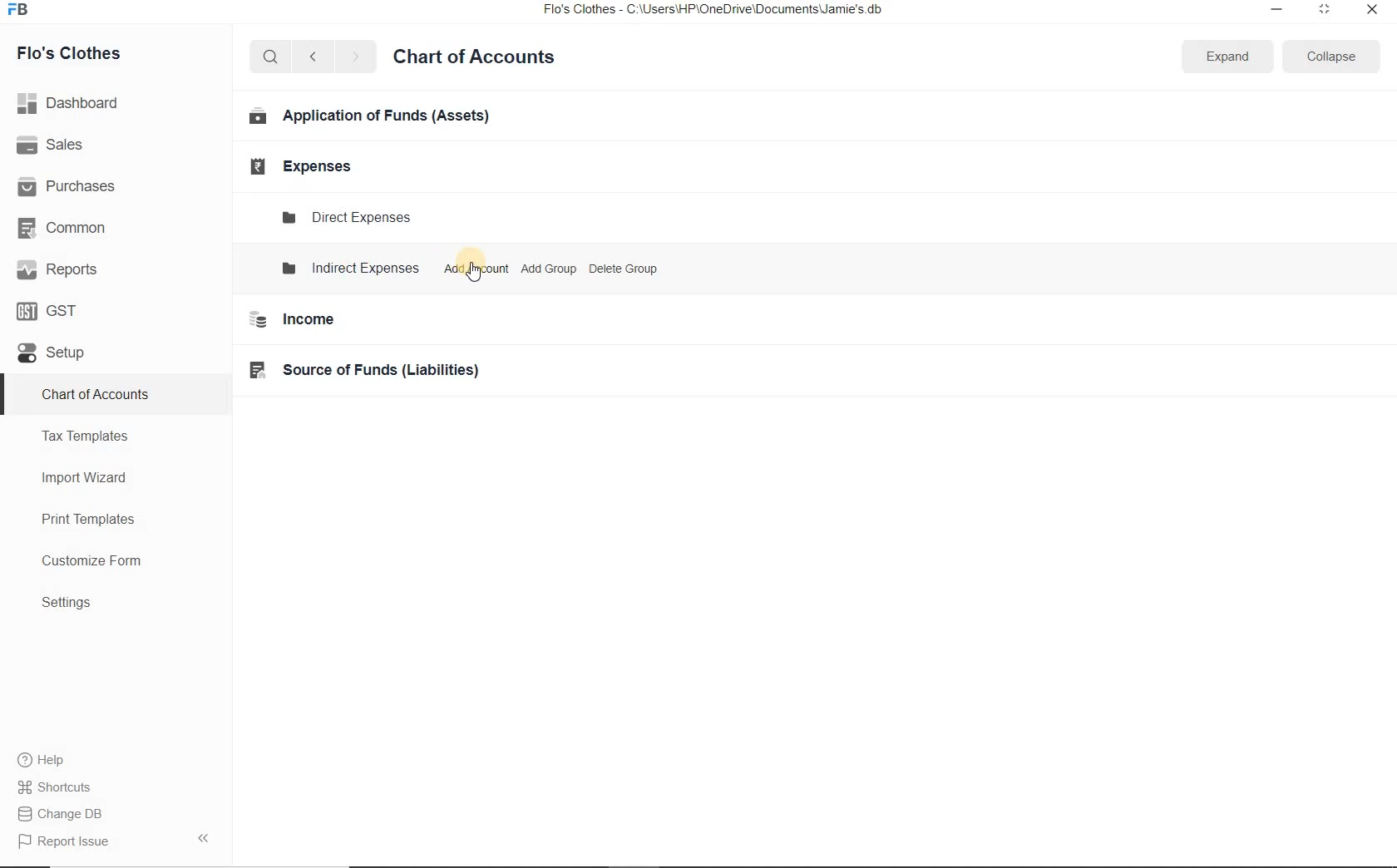 The width and height of the screenshot is (1397, 868). Describe the element at coordinates (49, 310) in the screenshot. I see `GST` at that location.